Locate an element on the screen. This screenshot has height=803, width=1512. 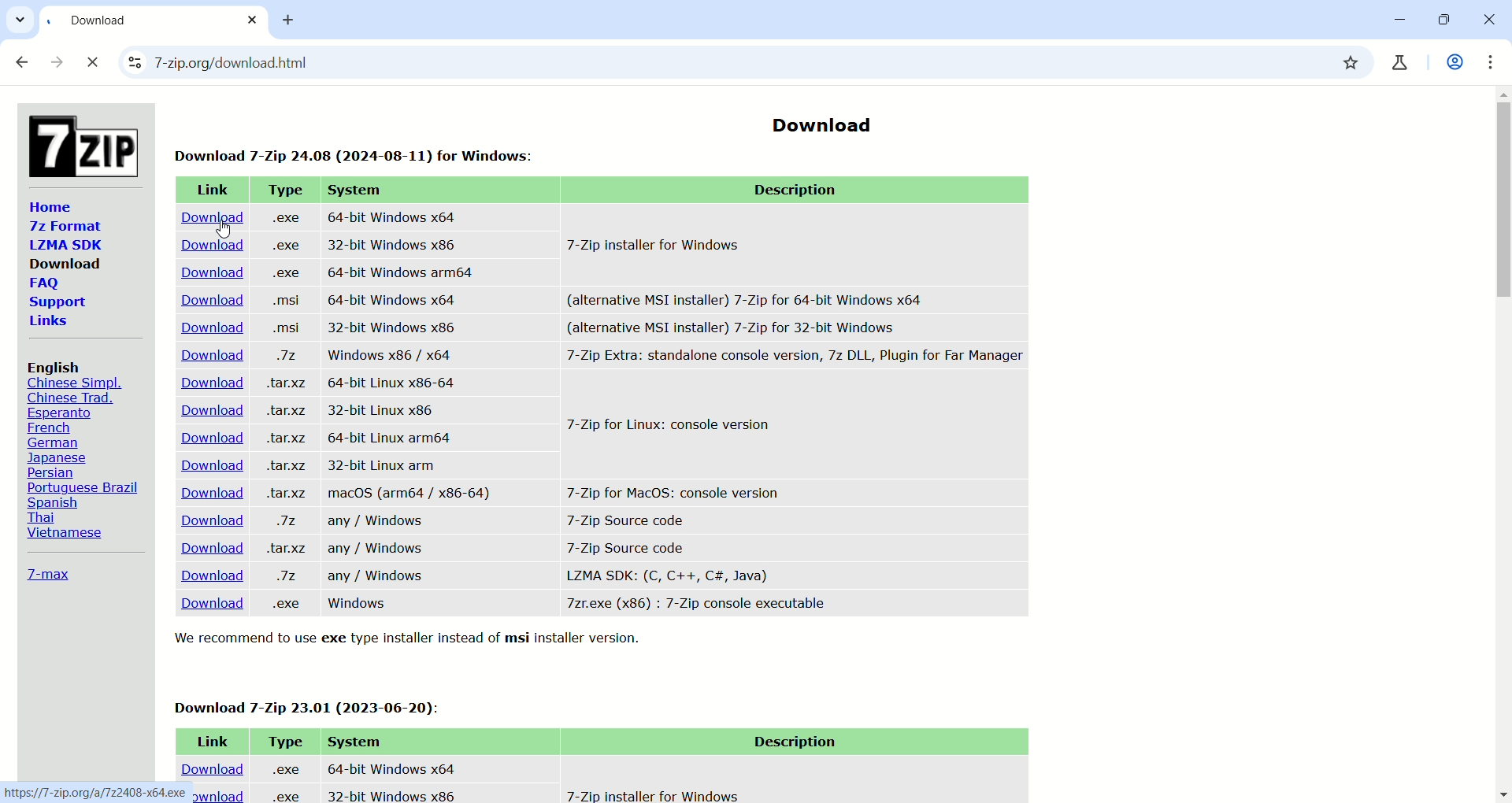
Download is located at coordinates (204, 490).